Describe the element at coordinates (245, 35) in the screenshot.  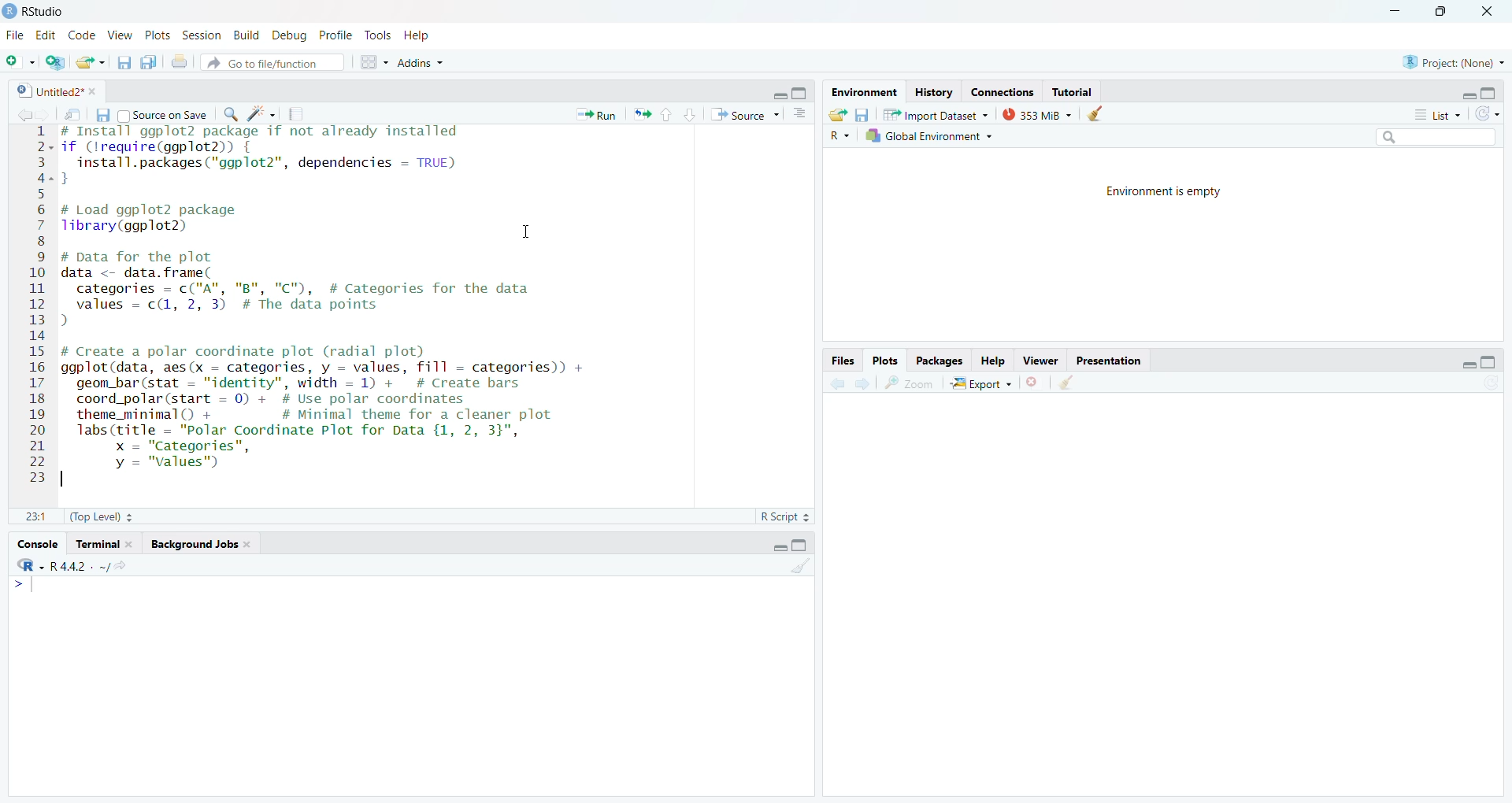
I see `Build` at that location.